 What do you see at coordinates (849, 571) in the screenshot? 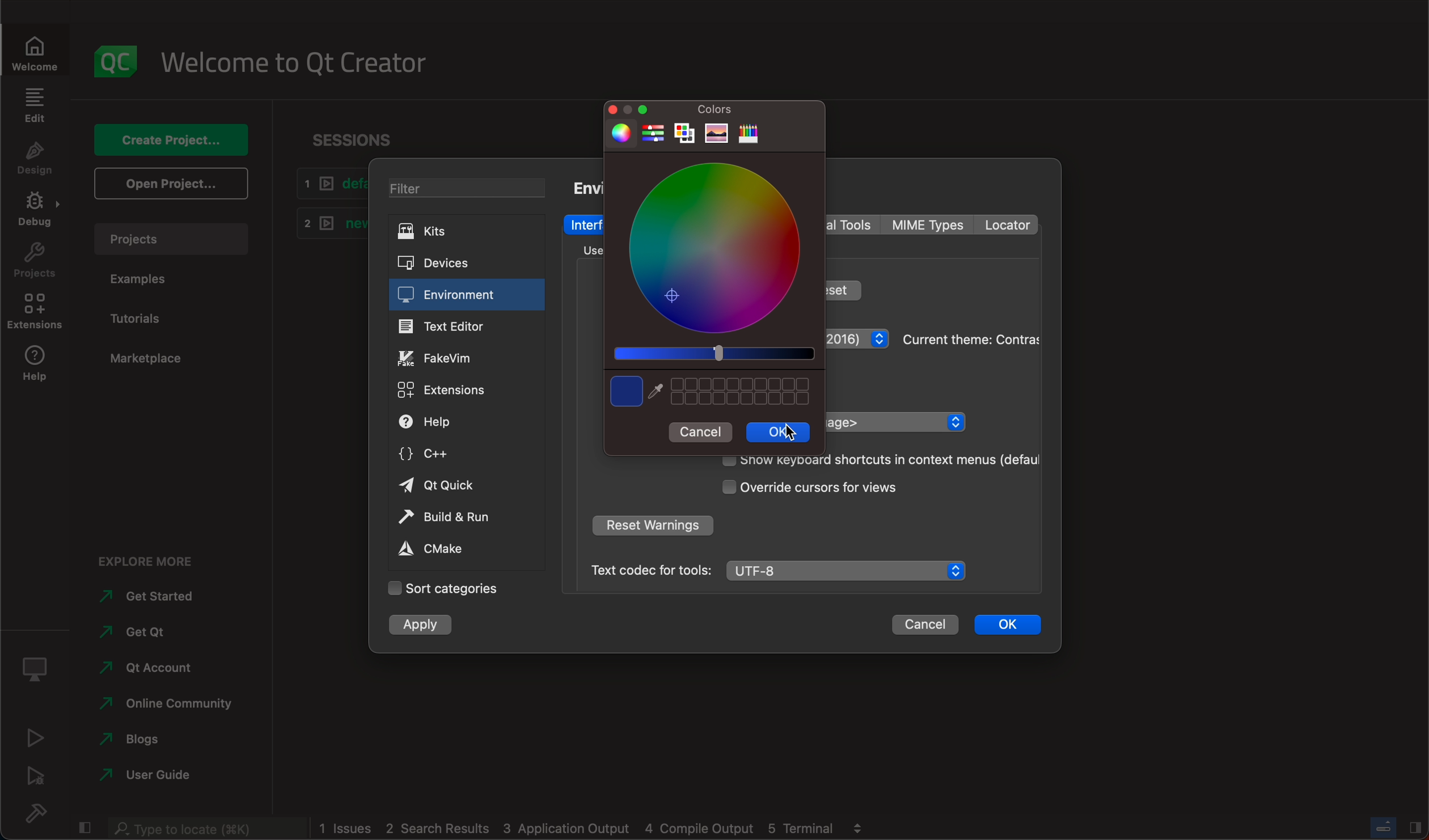
I see `UTF-8` at bounding box center [849, 571].